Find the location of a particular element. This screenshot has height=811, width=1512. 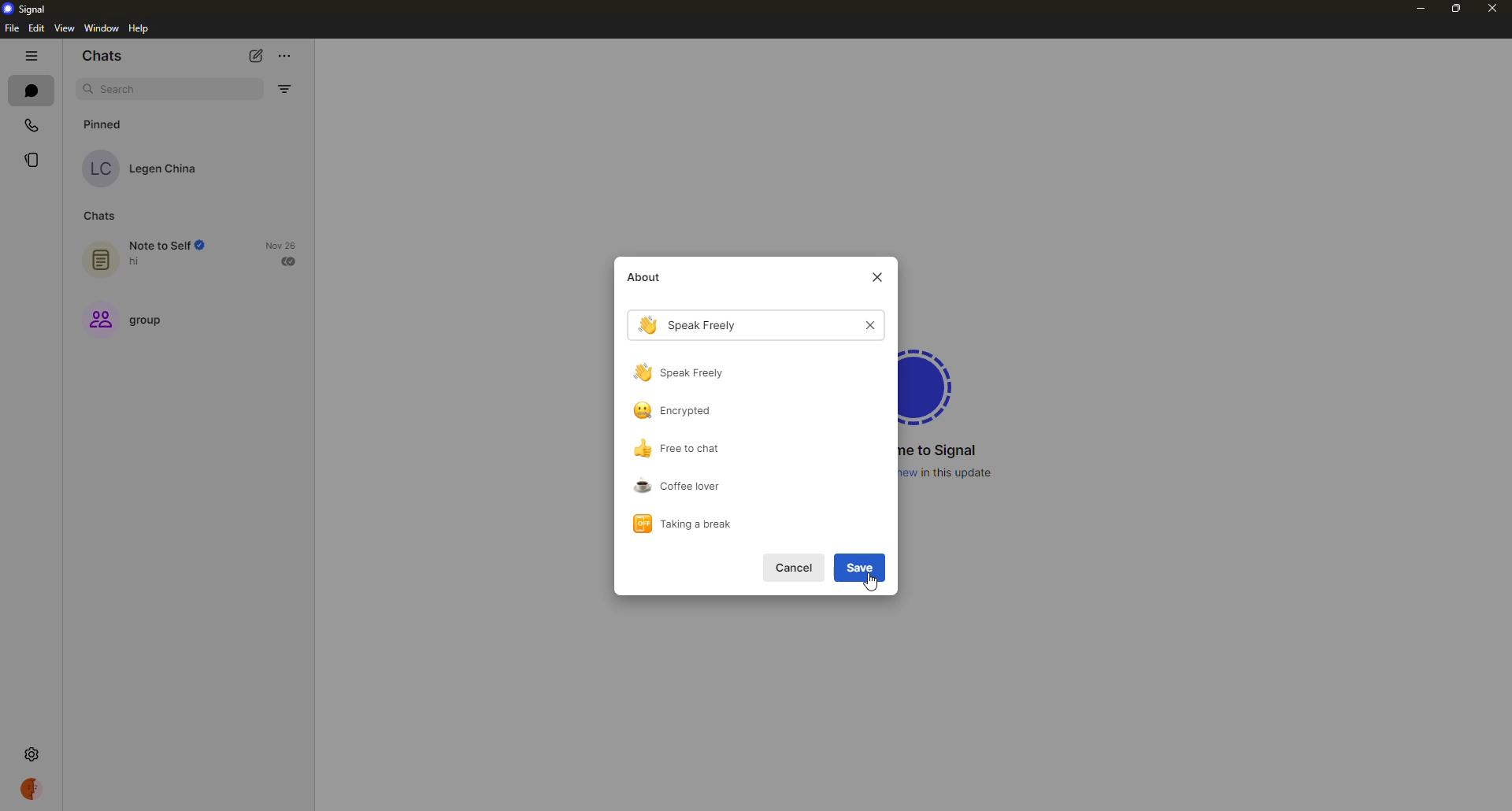

cancel is located at coordinates (796, 568).